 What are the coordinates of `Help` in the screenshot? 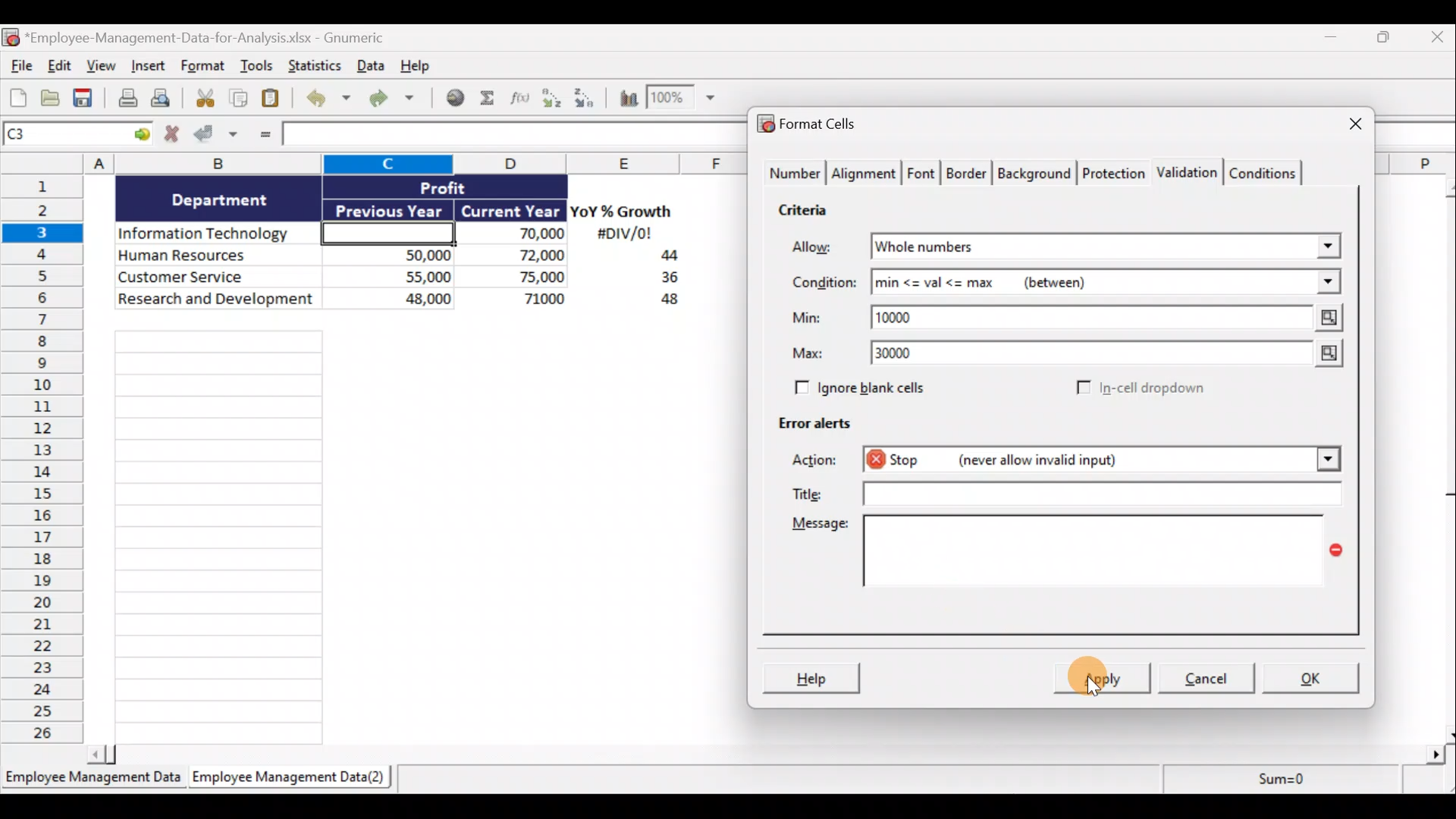 It's located at (420, 64).